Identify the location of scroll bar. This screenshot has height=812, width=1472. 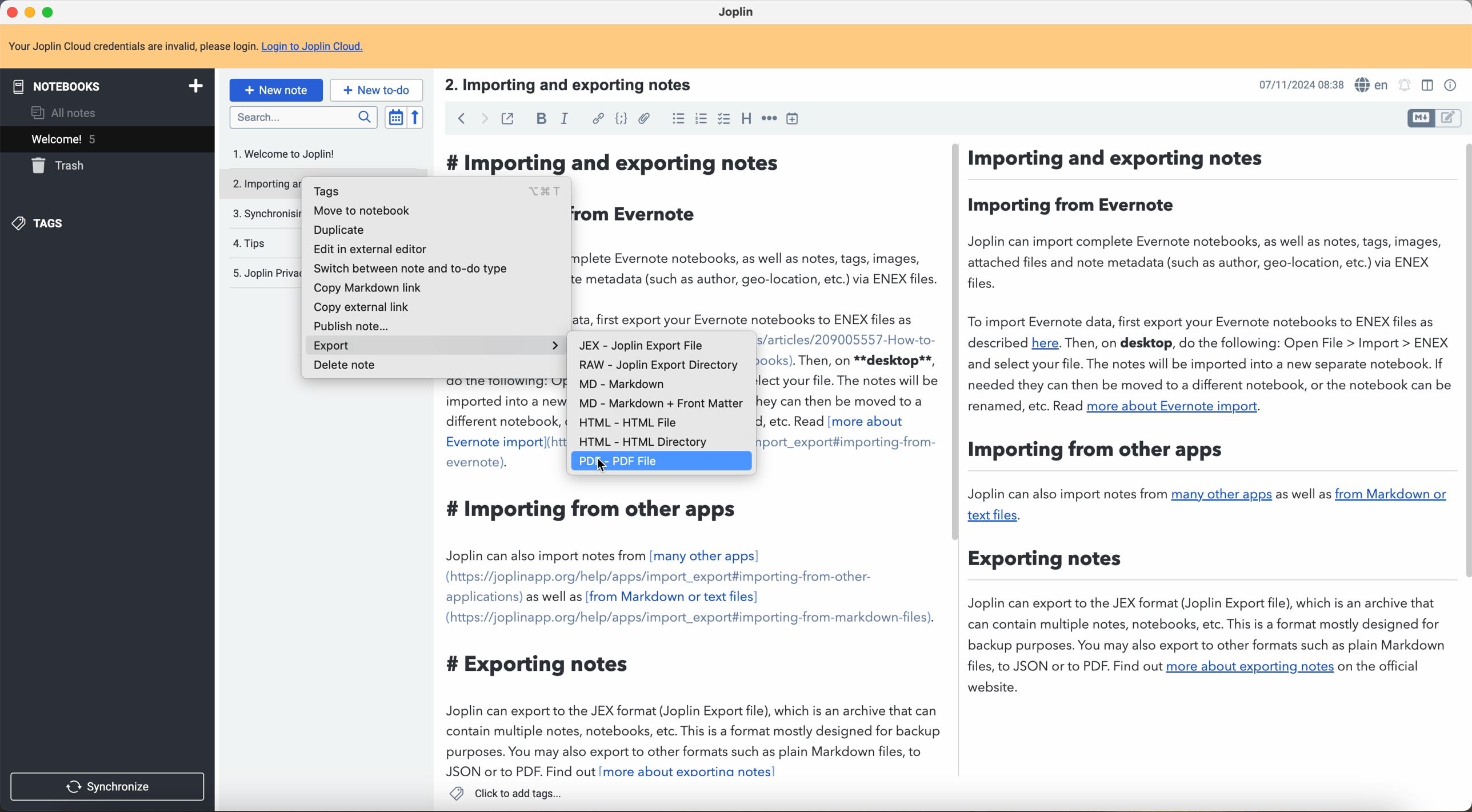
(958, 343).